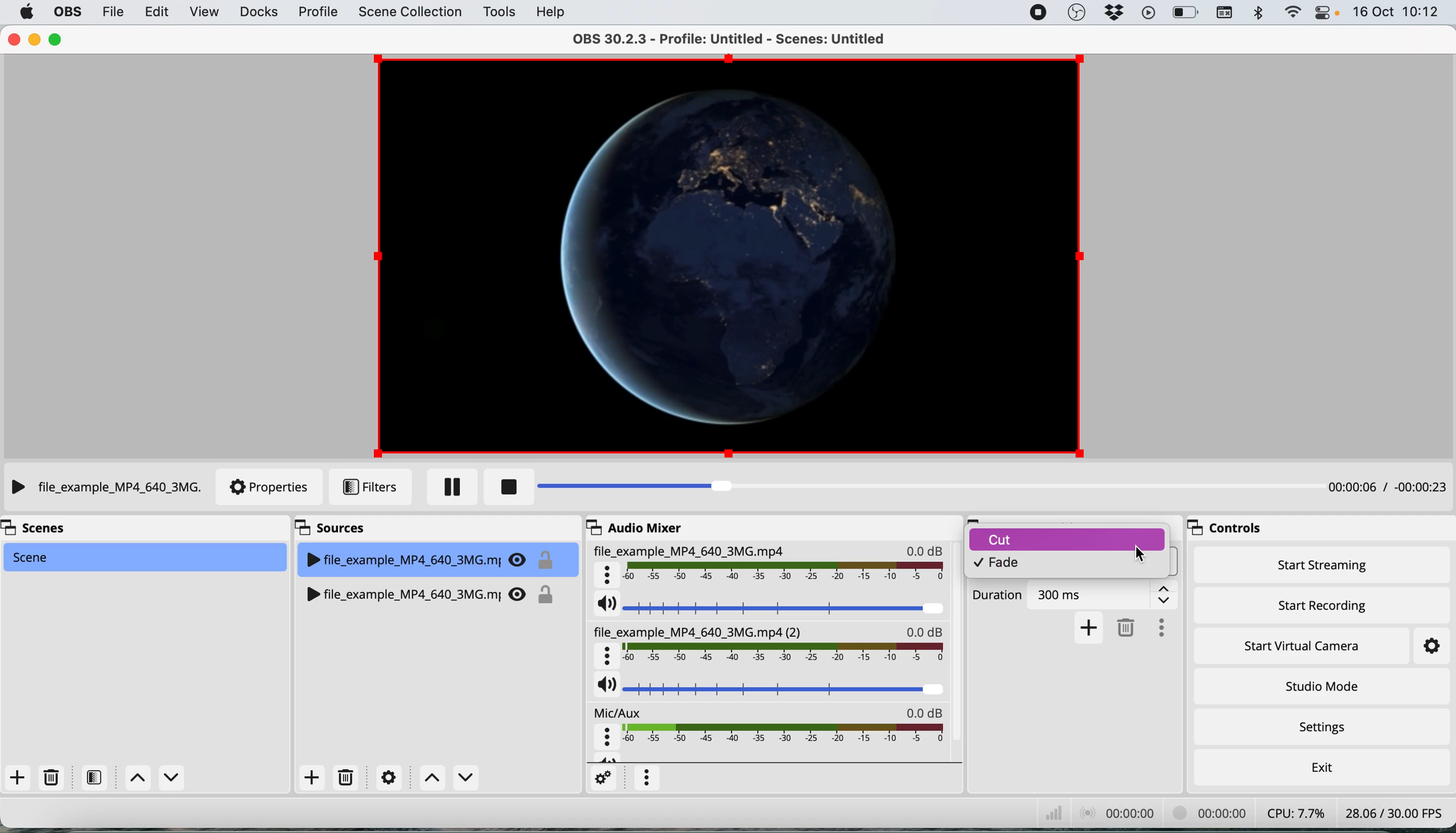 Image resolution: width=1456 pixels, height=833 pixels. Describe the element at coordinates (1329, 13) in the screenshot. I see `control center` at that location.